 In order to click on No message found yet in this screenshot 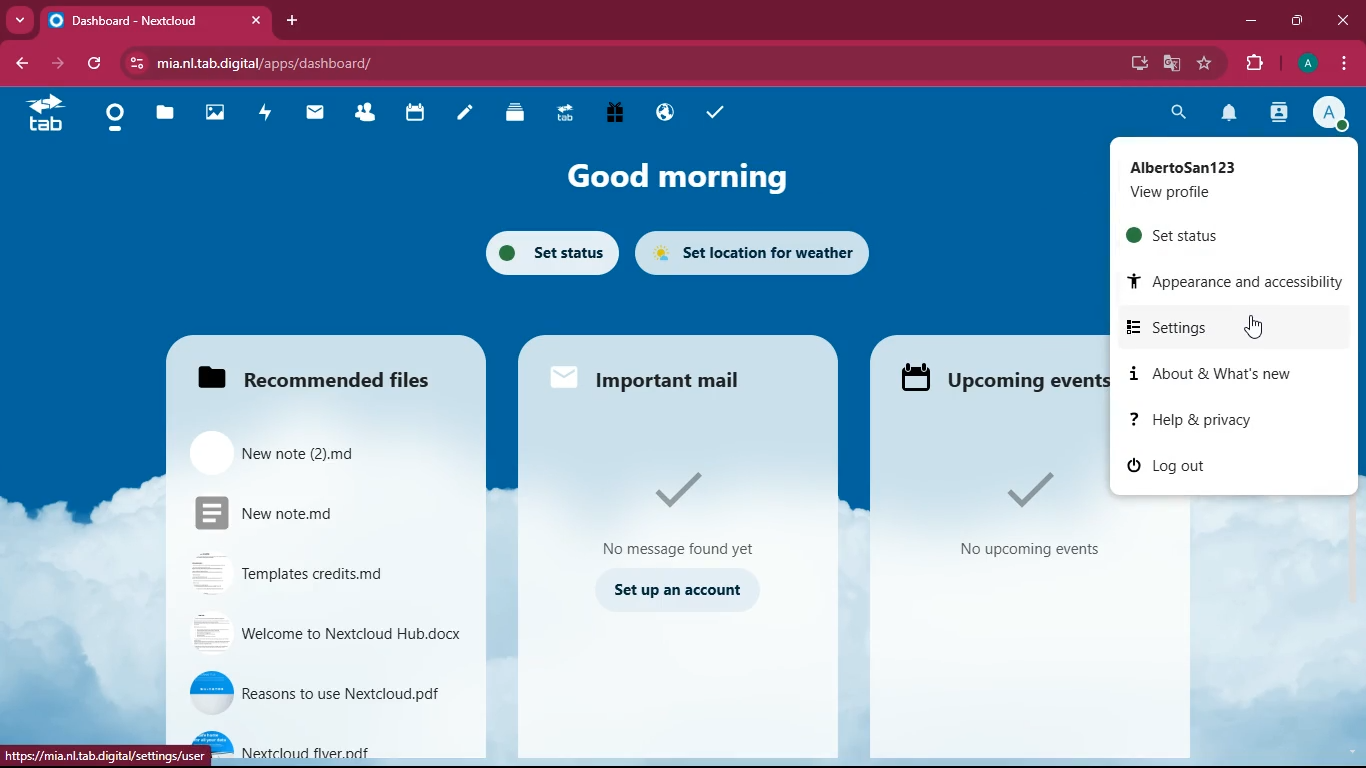, I will do `click(678, 550)`.